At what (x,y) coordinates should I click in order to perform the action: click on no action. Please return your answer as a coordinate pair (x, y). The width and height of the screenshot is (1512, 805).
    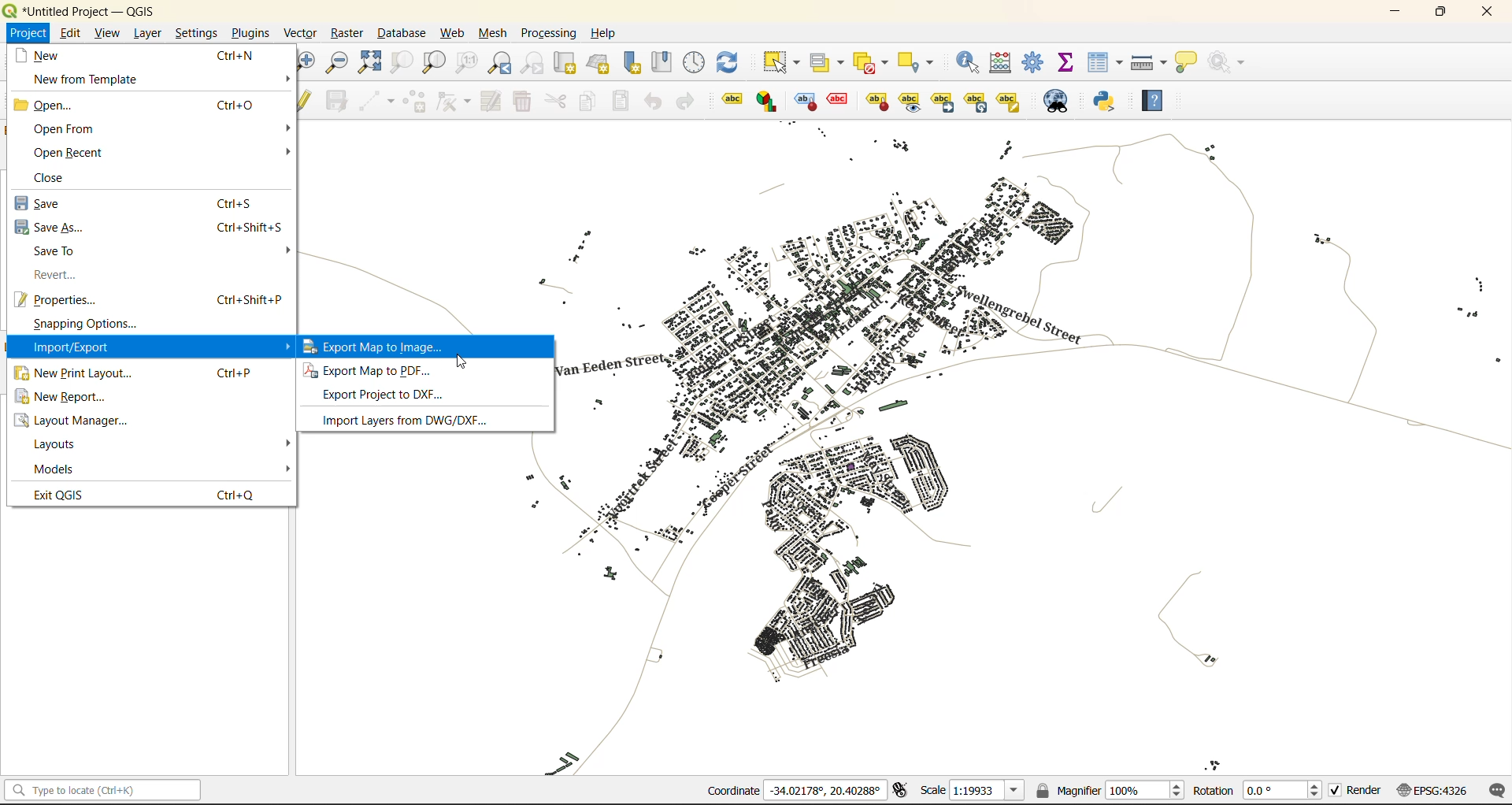
    Looking at the image, I should click on (1230, 62).